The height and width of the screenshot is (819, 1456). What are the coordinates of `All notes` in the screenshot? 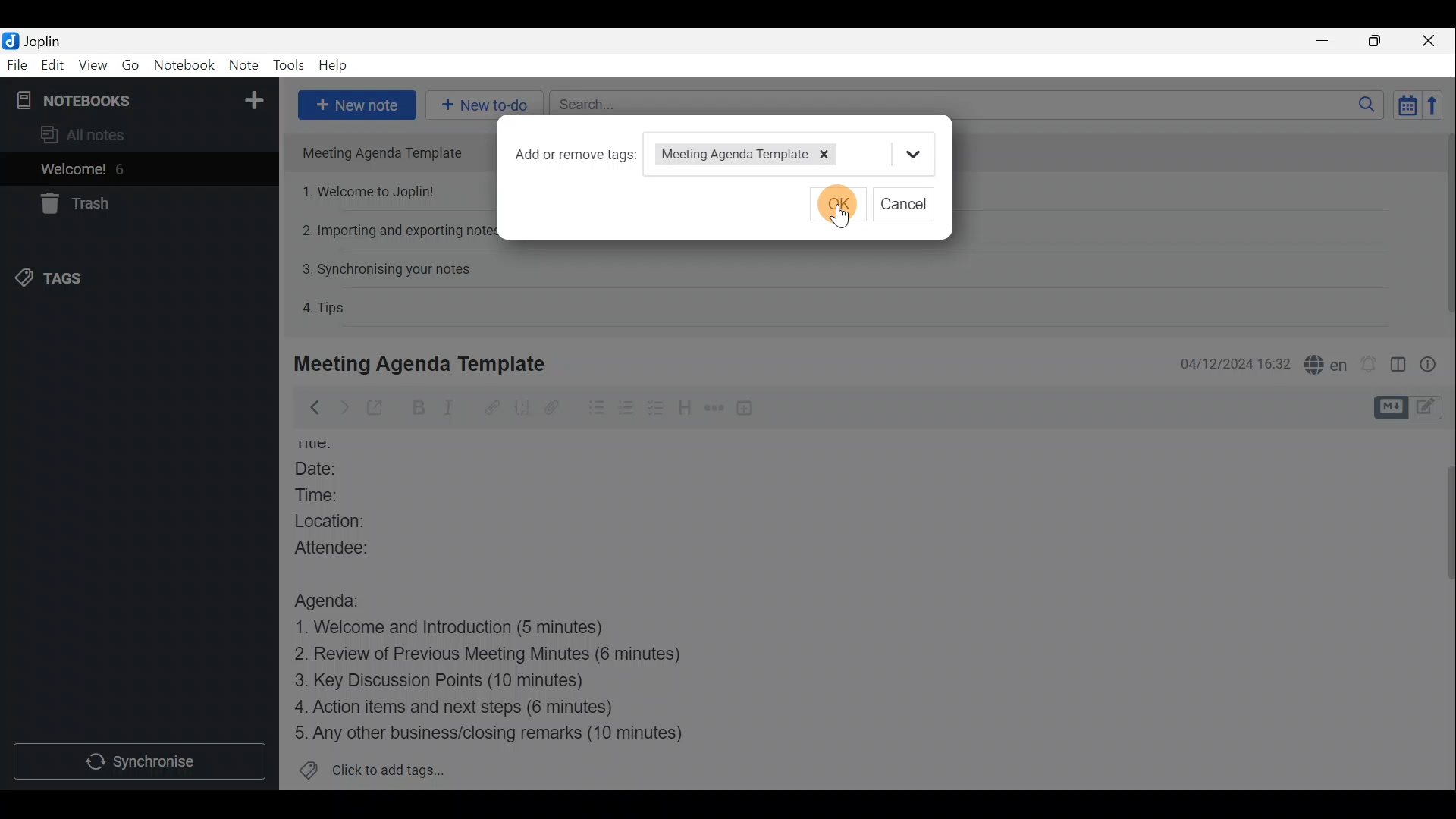 It's located at (108, 134).